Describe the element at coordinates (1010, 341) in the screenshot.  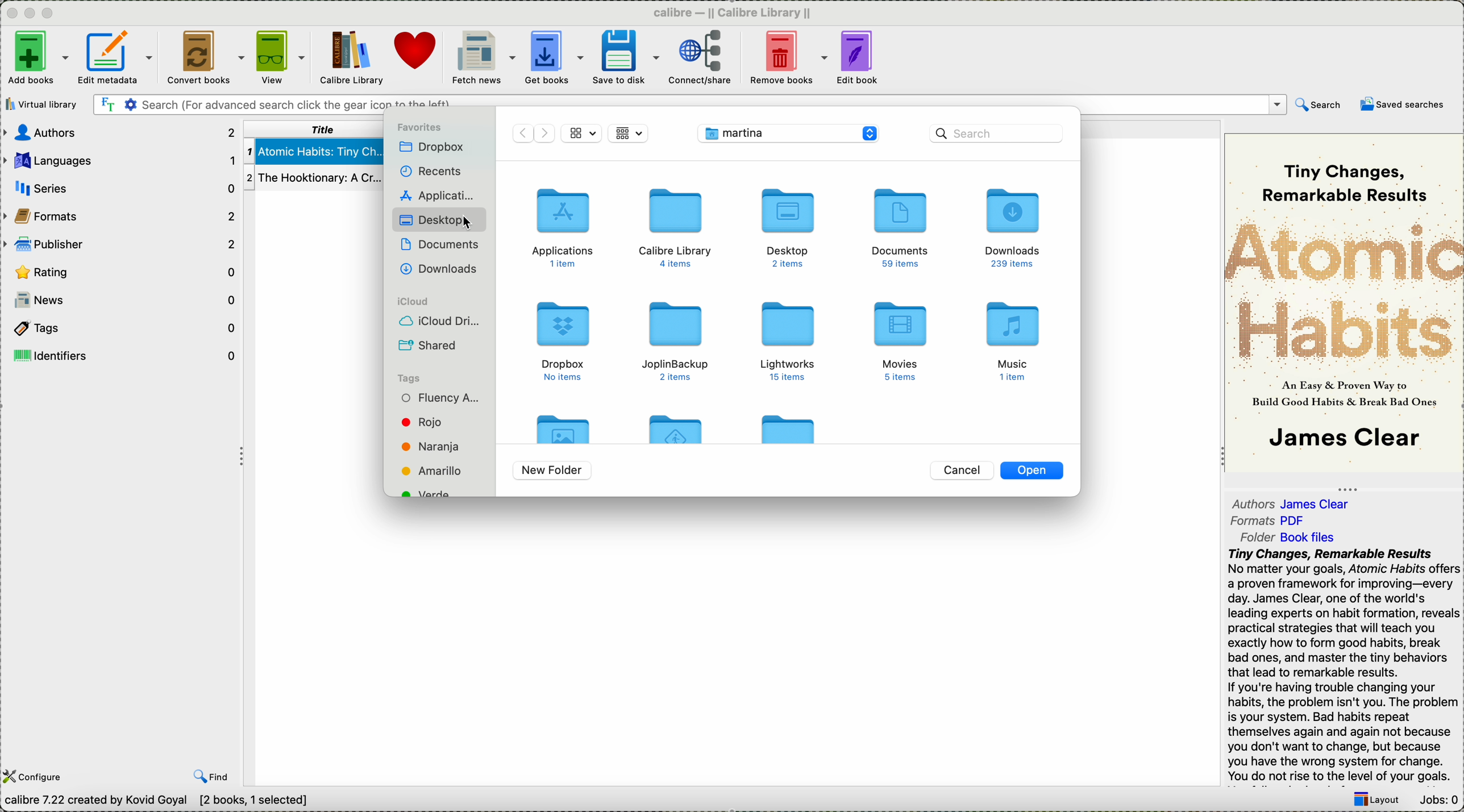
I see `music` at that location.